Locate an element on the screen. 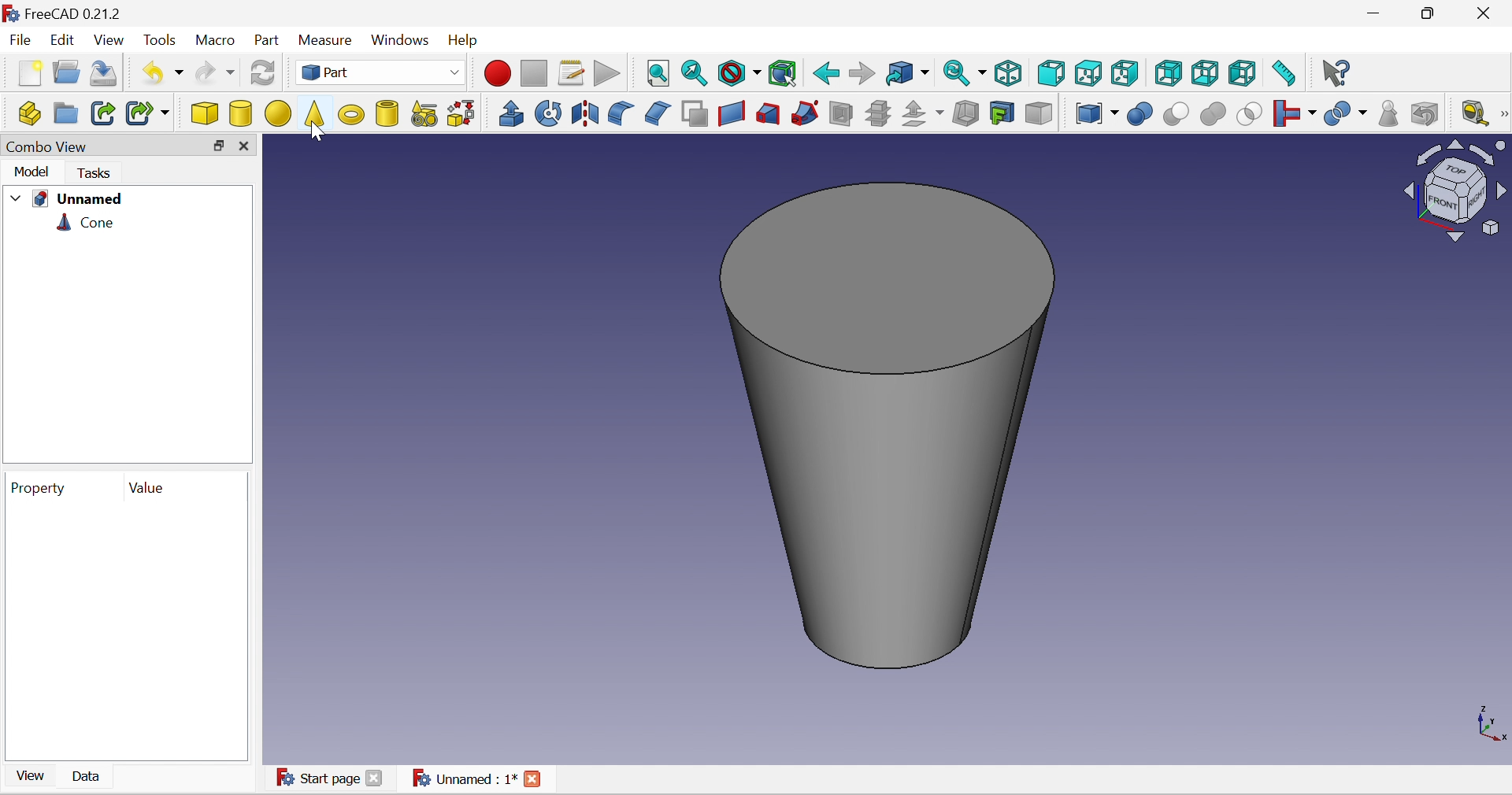  Chamfer is located at coordinates (659, 114).